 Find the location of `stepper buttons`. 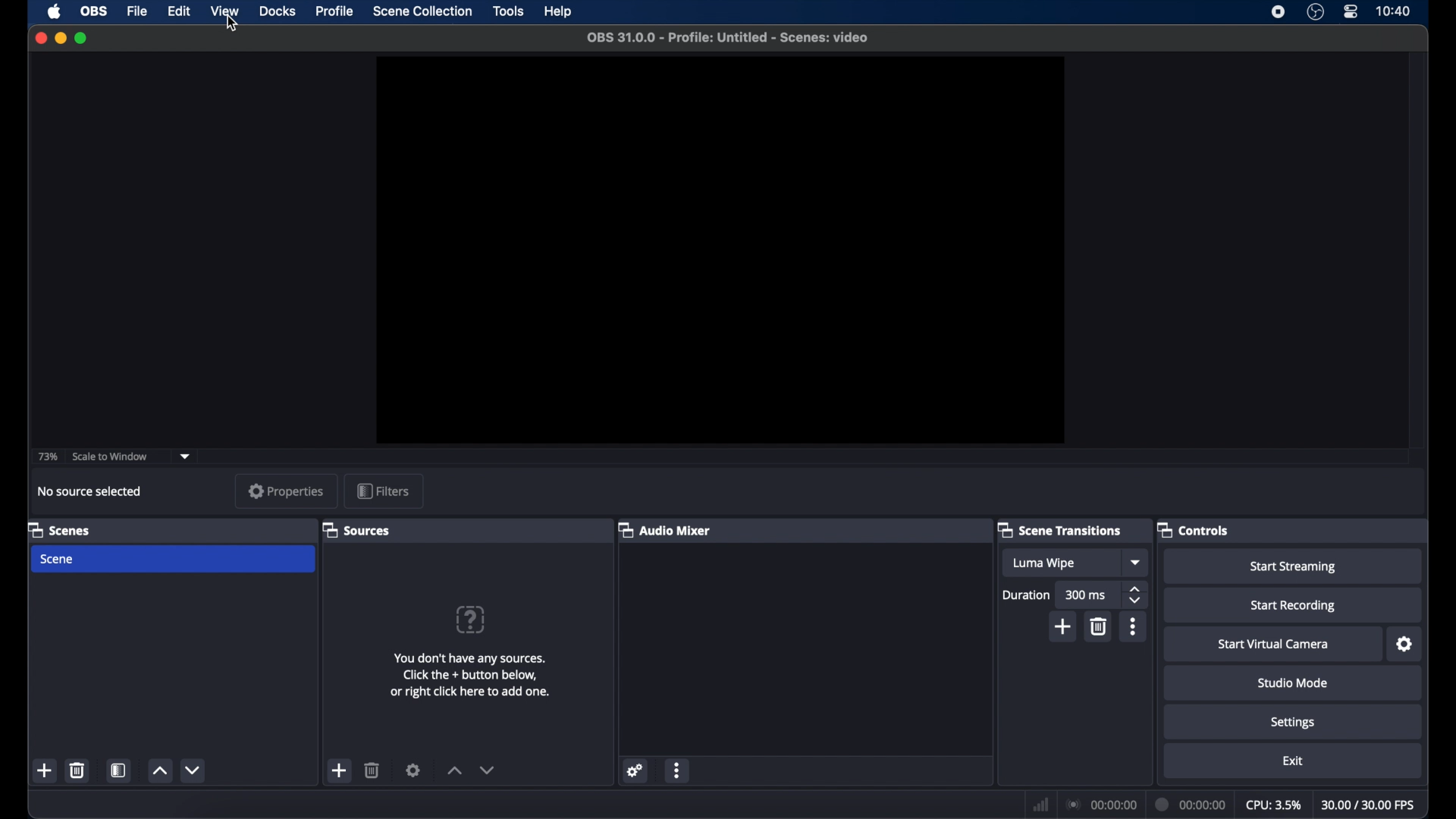

stepper buttons is located at coordinates (1136, 593).